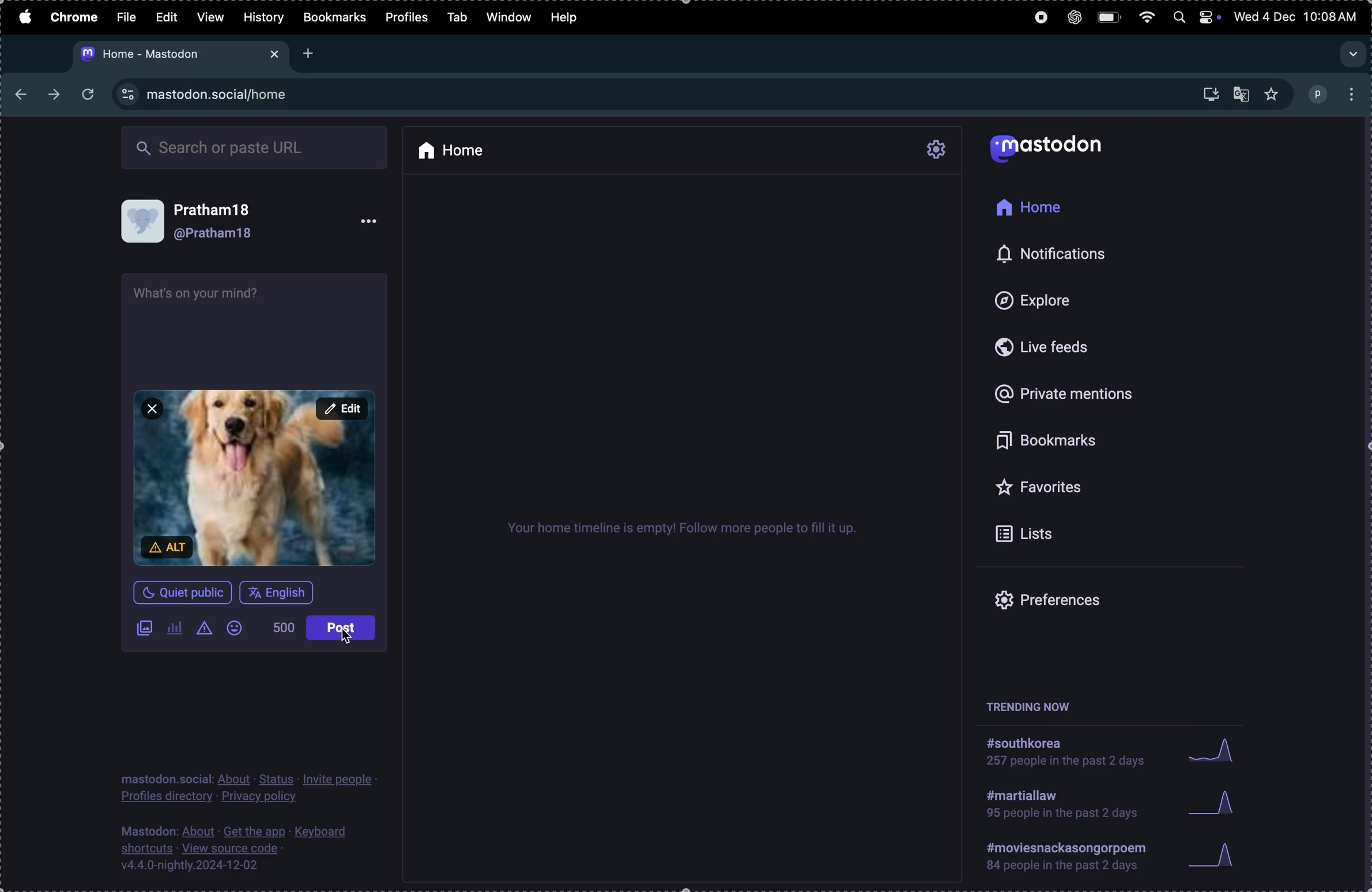 Image resolution: width=1372 pixels, height=892 pixels. I want to click on apple menu, so click(22, 16).